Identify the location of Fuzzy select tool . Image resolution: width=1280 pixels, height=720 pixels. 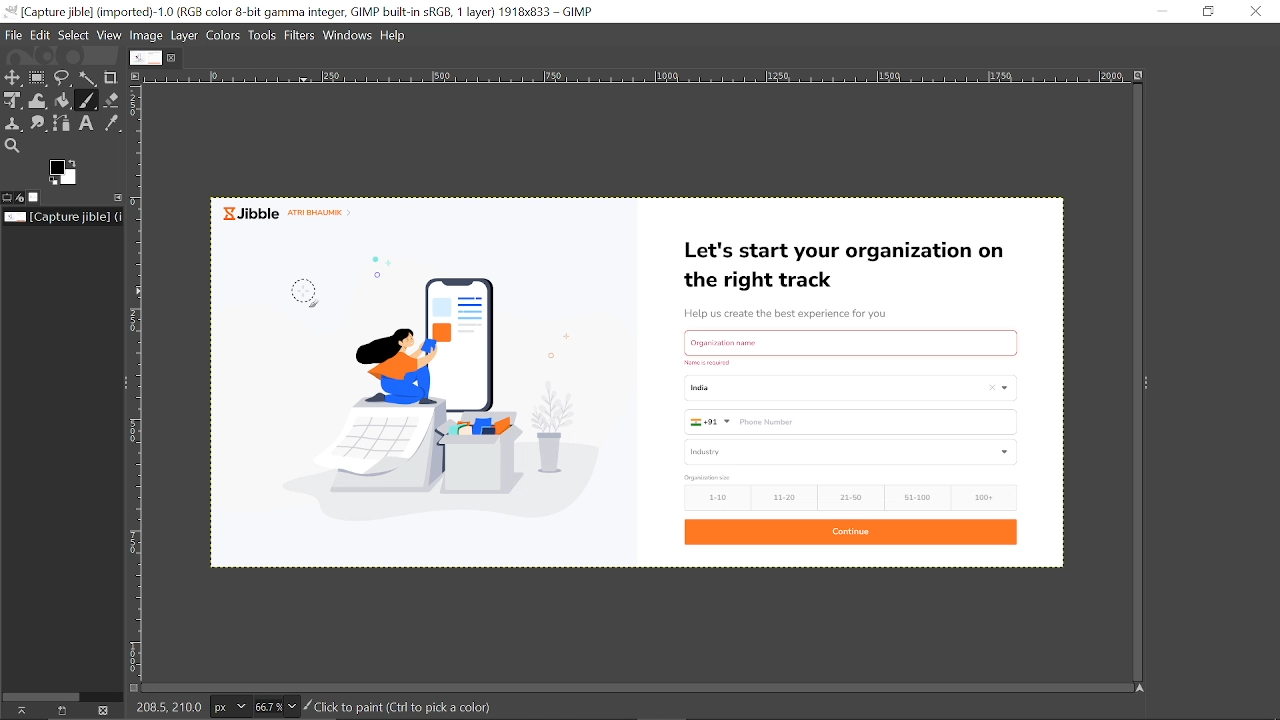
(88, 80).